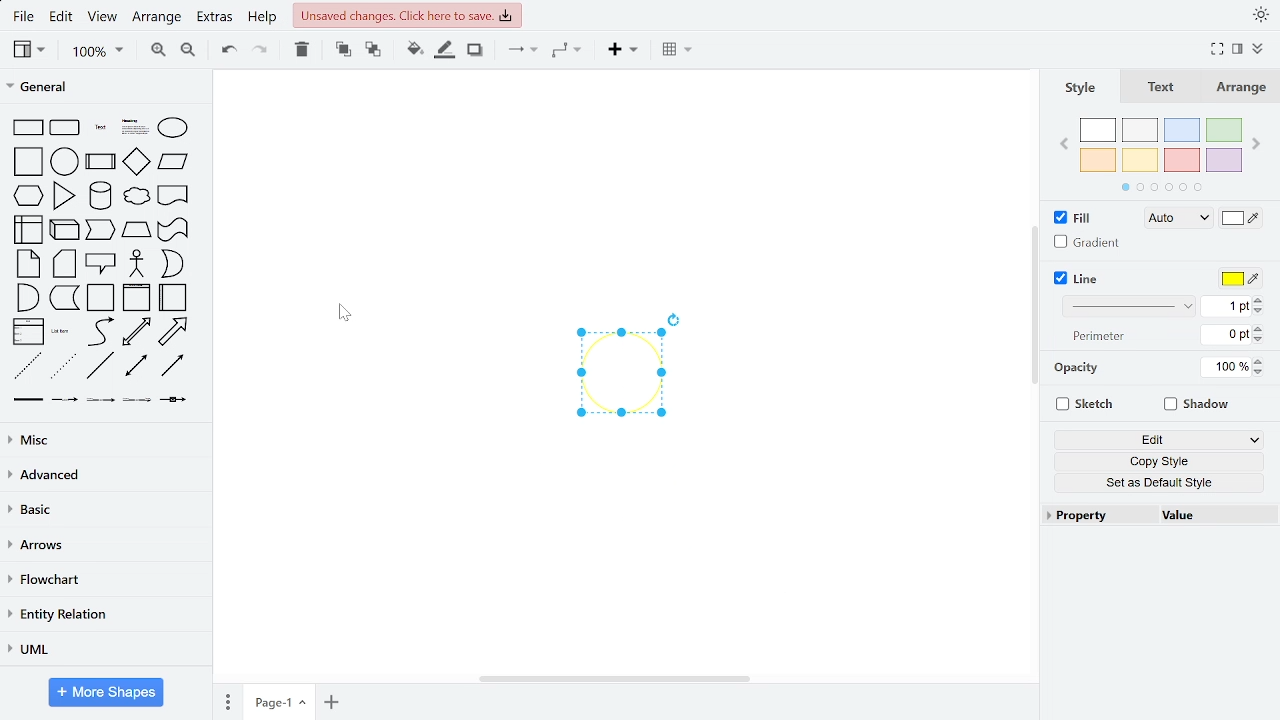 Image resolution: width=1280 pixels, height=720 pixels. What do you see at coordinates (1082, 88) in the screenshot?
I see `style` at bounding box center [1082, 88].